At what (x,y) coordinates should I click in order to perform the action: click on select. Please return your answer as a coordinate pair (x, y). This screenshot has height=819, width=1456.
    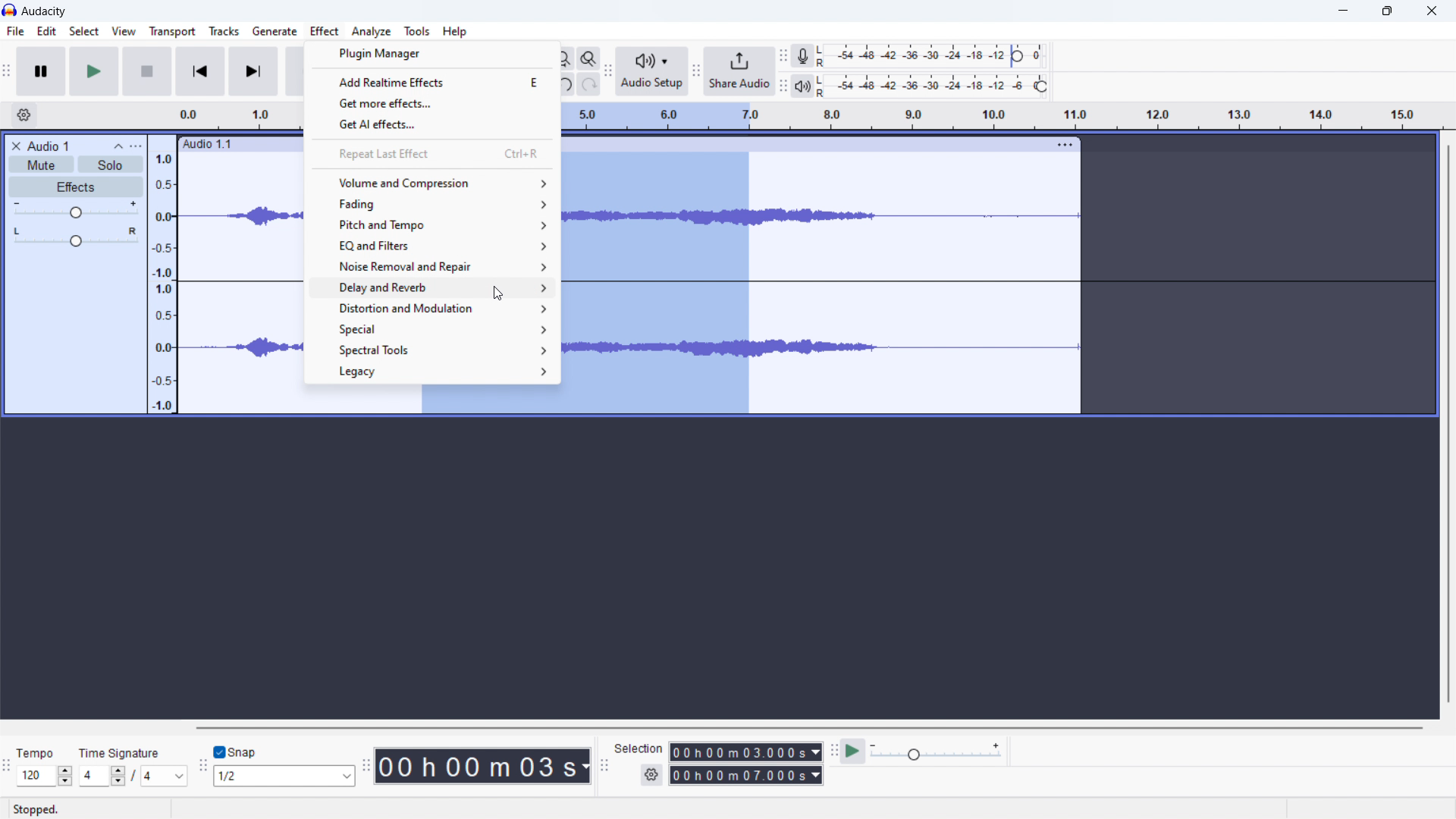
    Looking at the image, I should click on (83, 31).